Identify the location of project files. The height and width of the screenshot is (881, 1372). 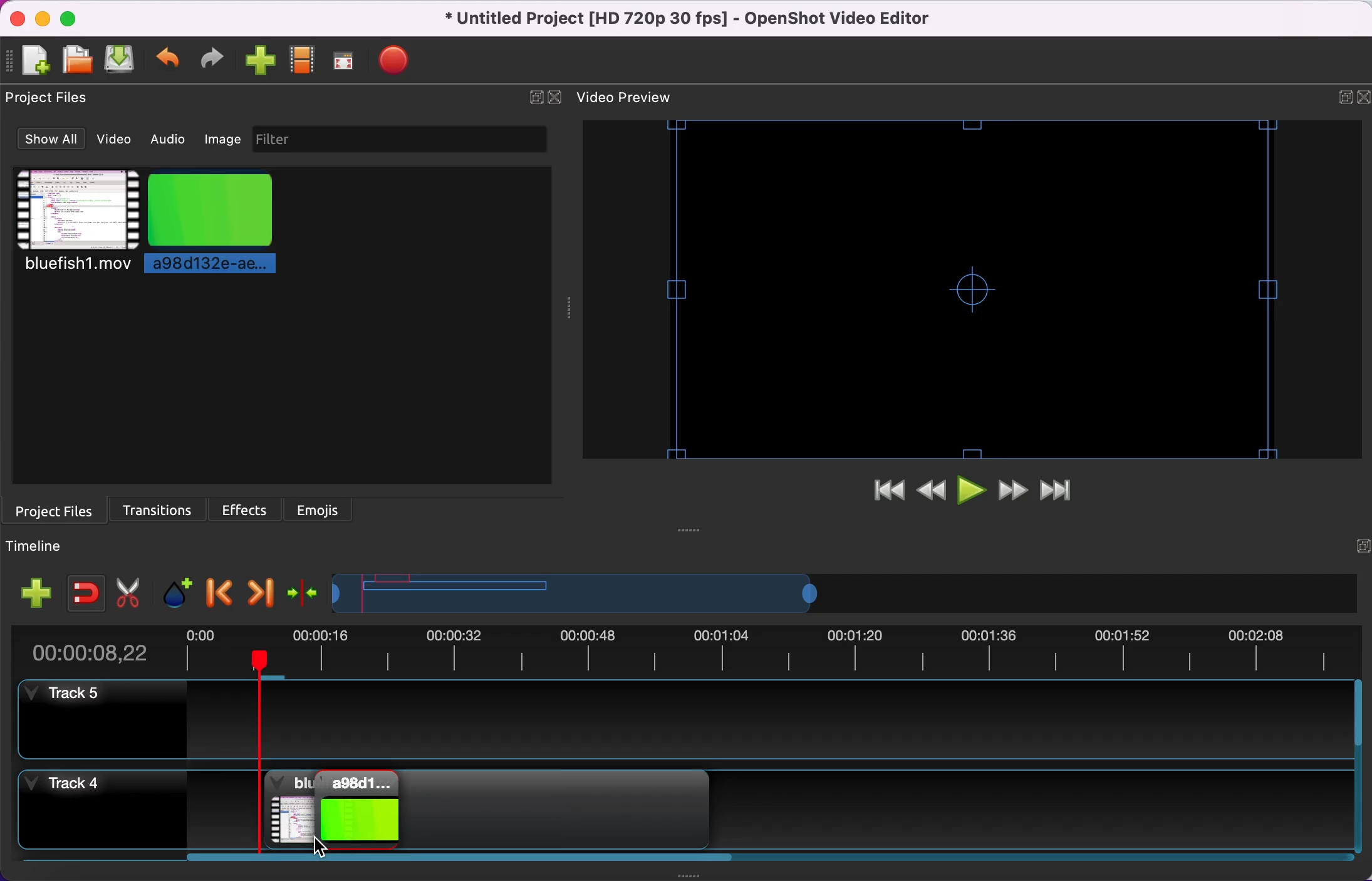
(56, 100).